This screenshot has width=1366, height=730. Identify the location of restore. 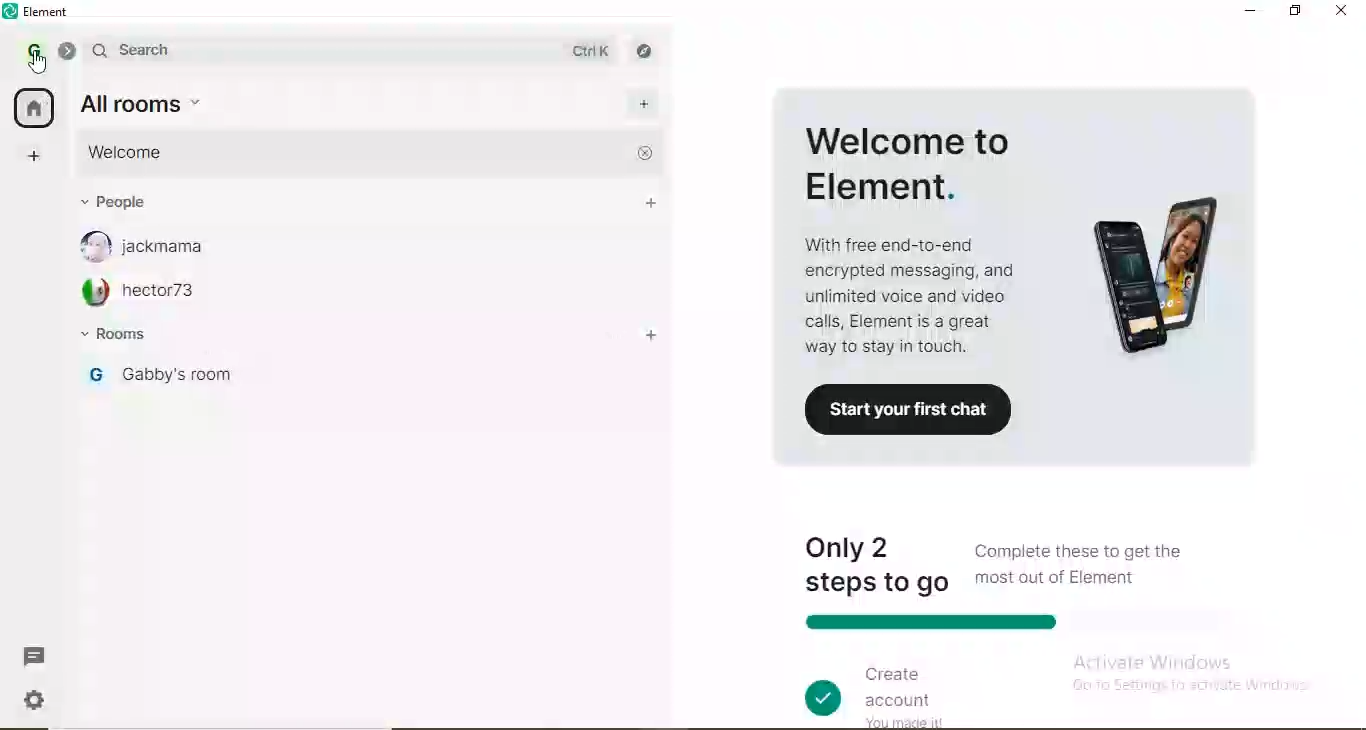
(1296, 12).